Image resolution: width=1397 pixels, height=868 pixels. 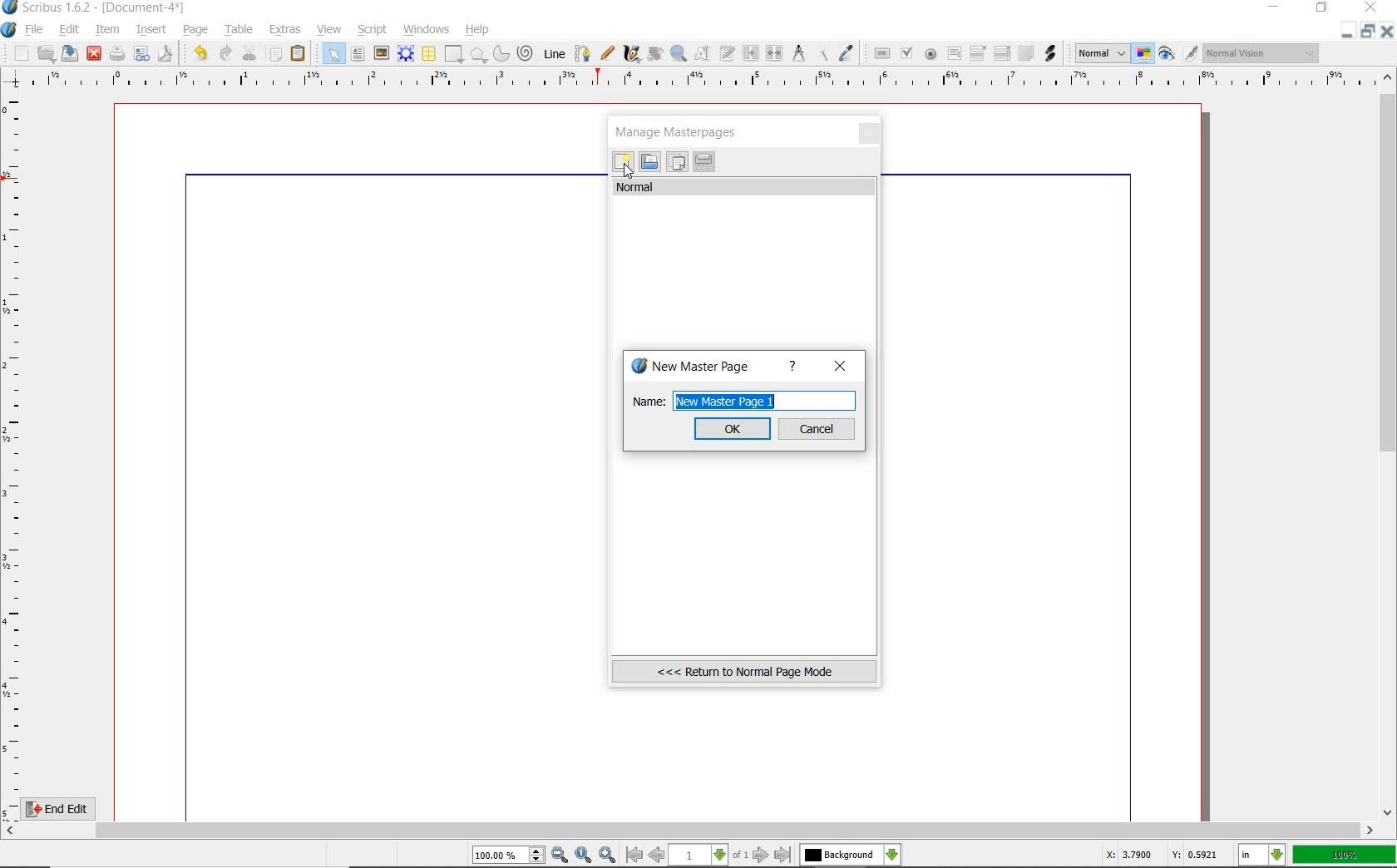 I want to click on restore, so click(x=1323, y=9).